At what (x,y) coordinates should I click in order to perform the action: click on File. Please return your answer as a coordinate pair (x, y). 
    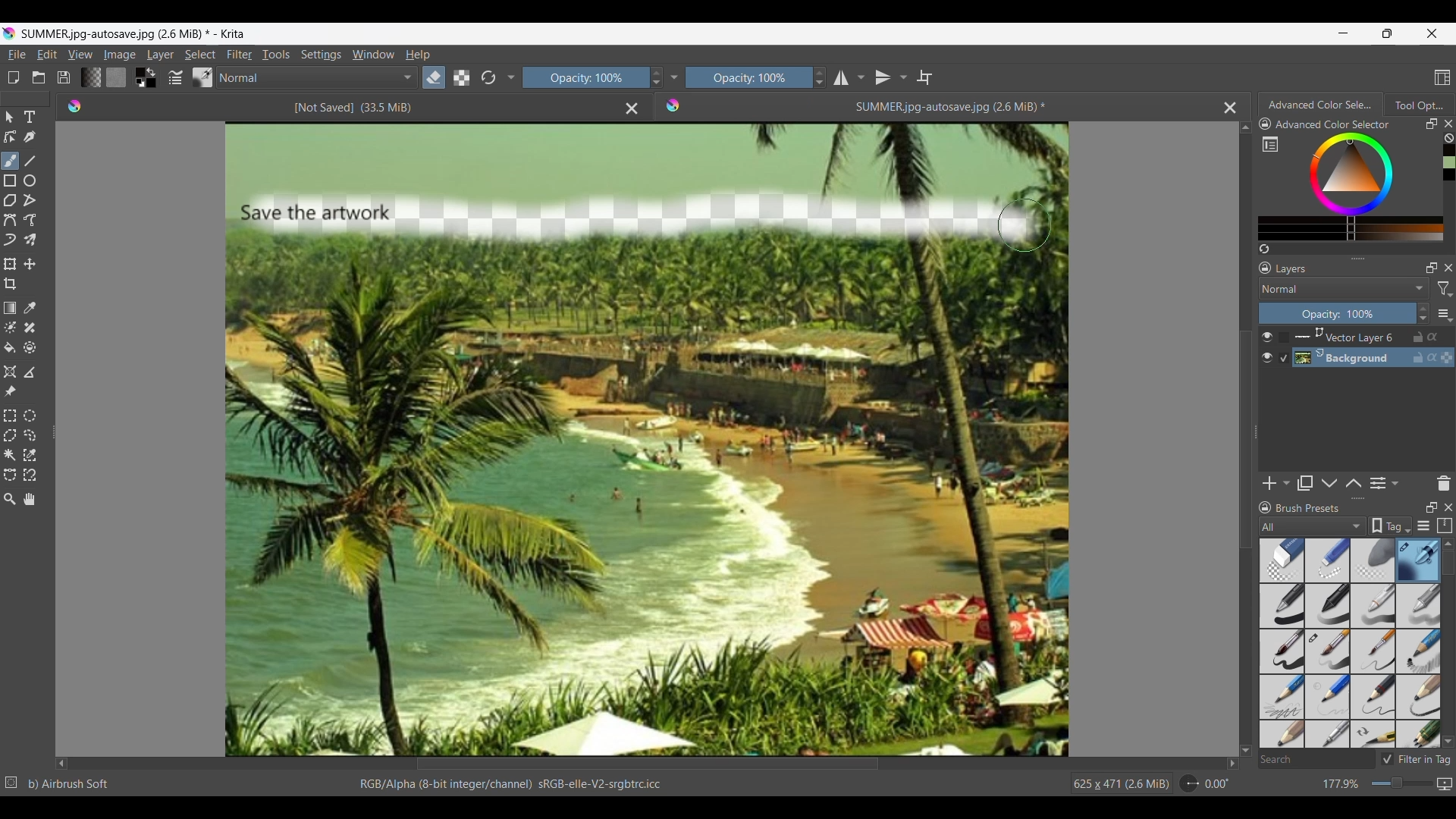
    Looking at the image, I should click on (16, 55).